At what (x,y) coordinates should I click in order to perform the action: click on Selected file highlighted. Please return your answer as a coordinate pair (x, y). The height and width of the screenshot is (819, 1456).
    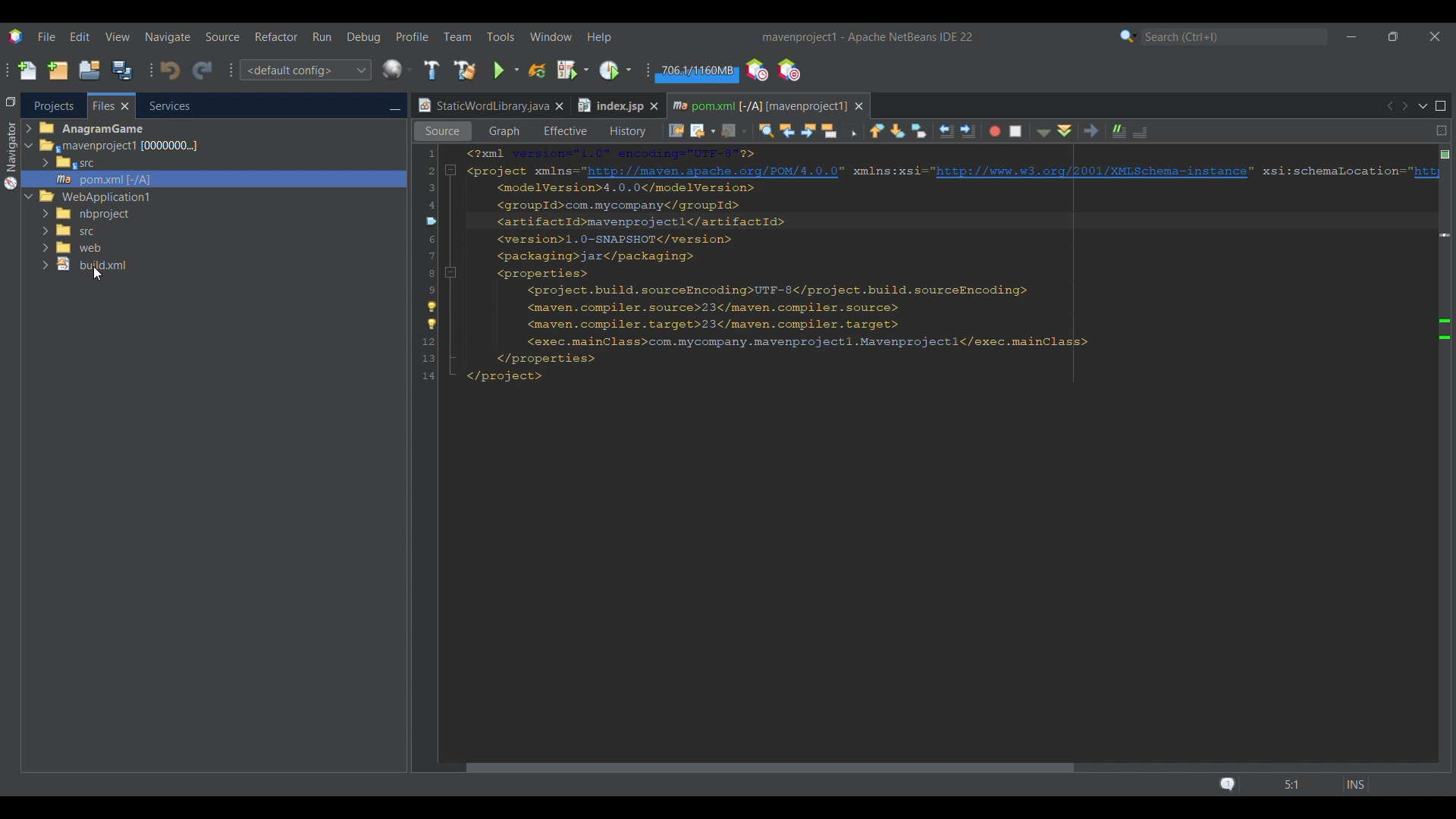
    Looking at the image, I should click on (214, 179).